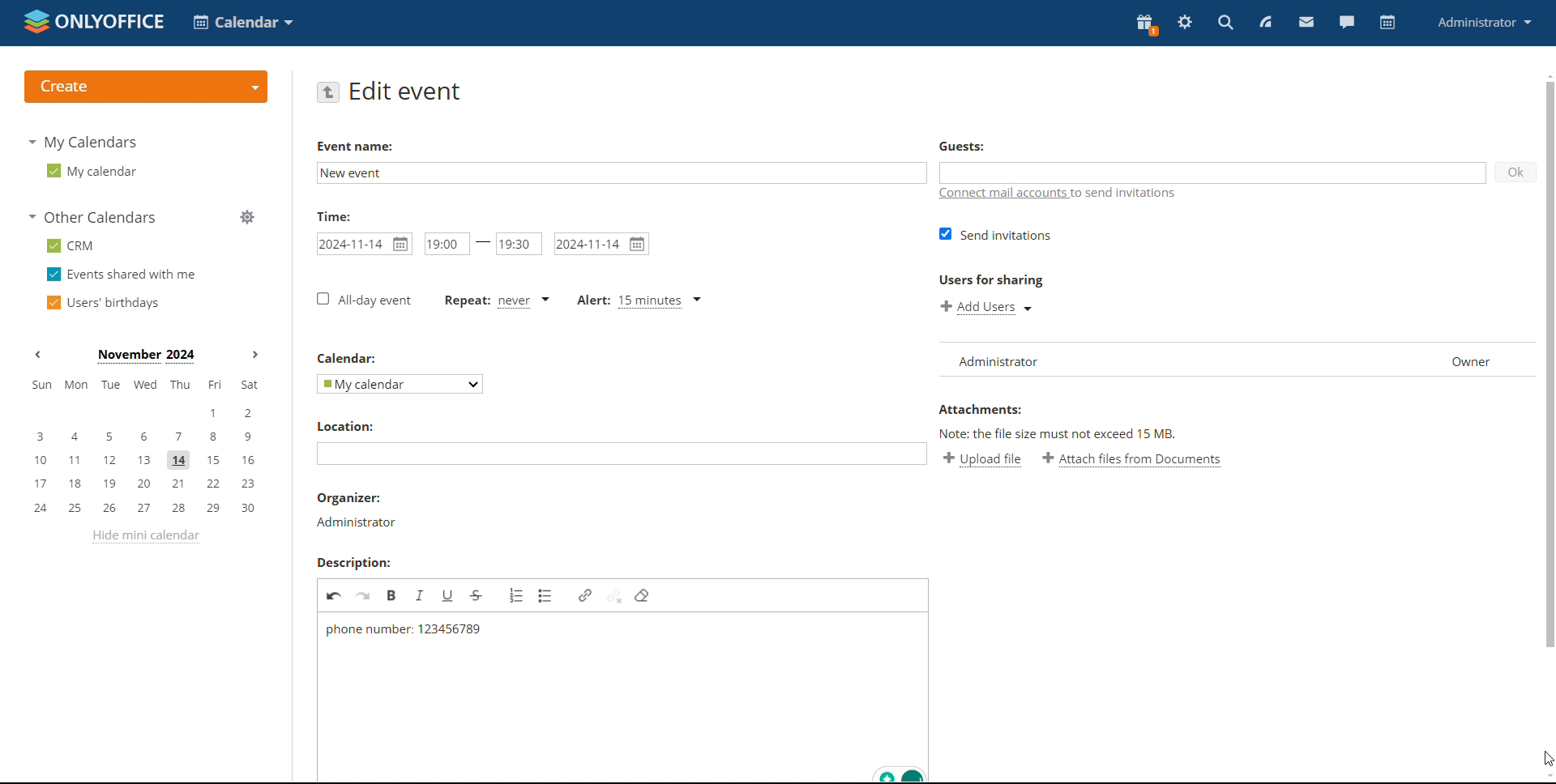 The height and width of the screenshot is (784, 1556). I want to click on alert type, so click(639, 301).